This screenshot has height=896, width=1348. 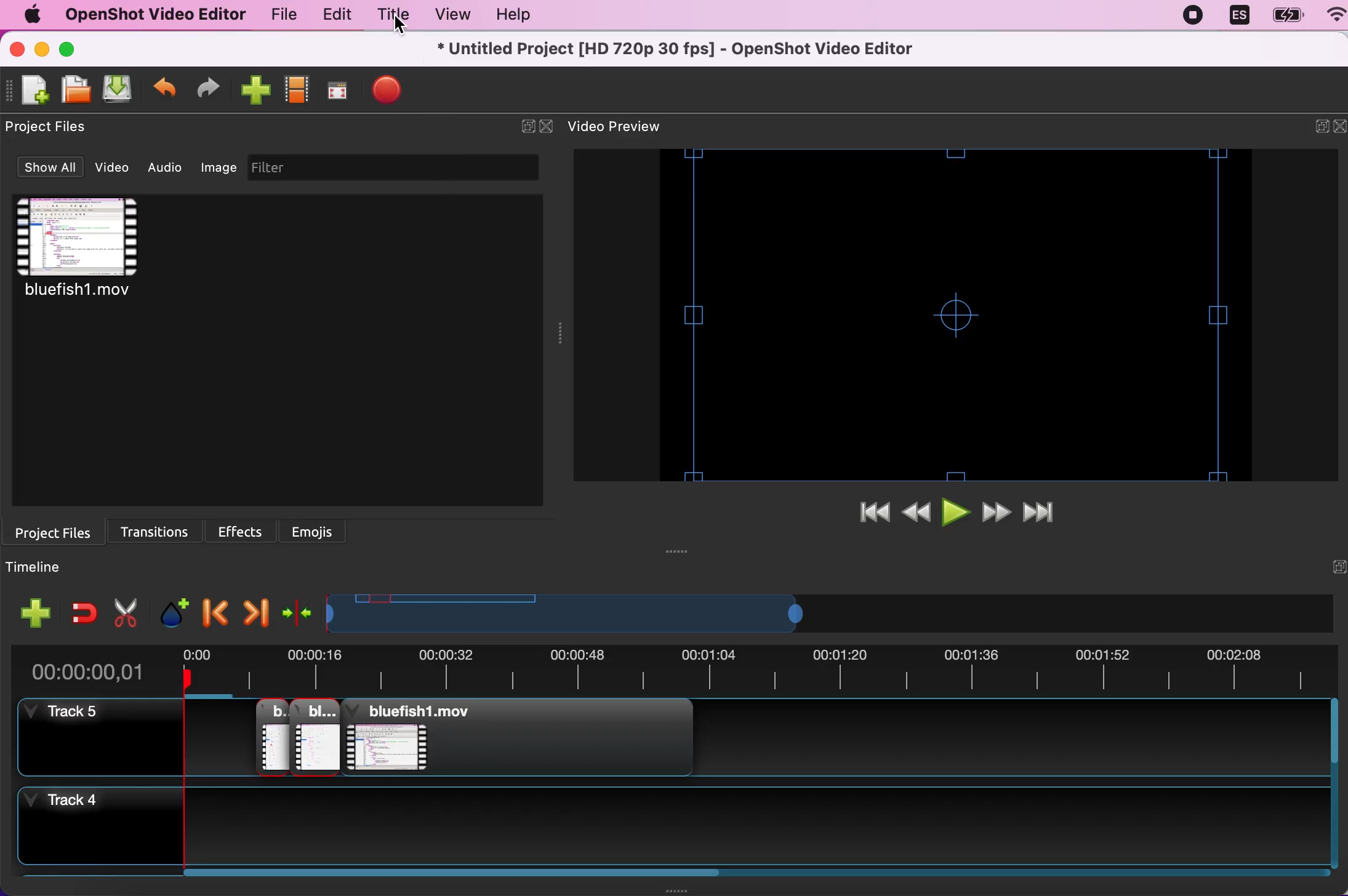 What do you see at coordinates (524, 127) in the screenshot?
I see `expand/hide` at bounding box center [524, 127].